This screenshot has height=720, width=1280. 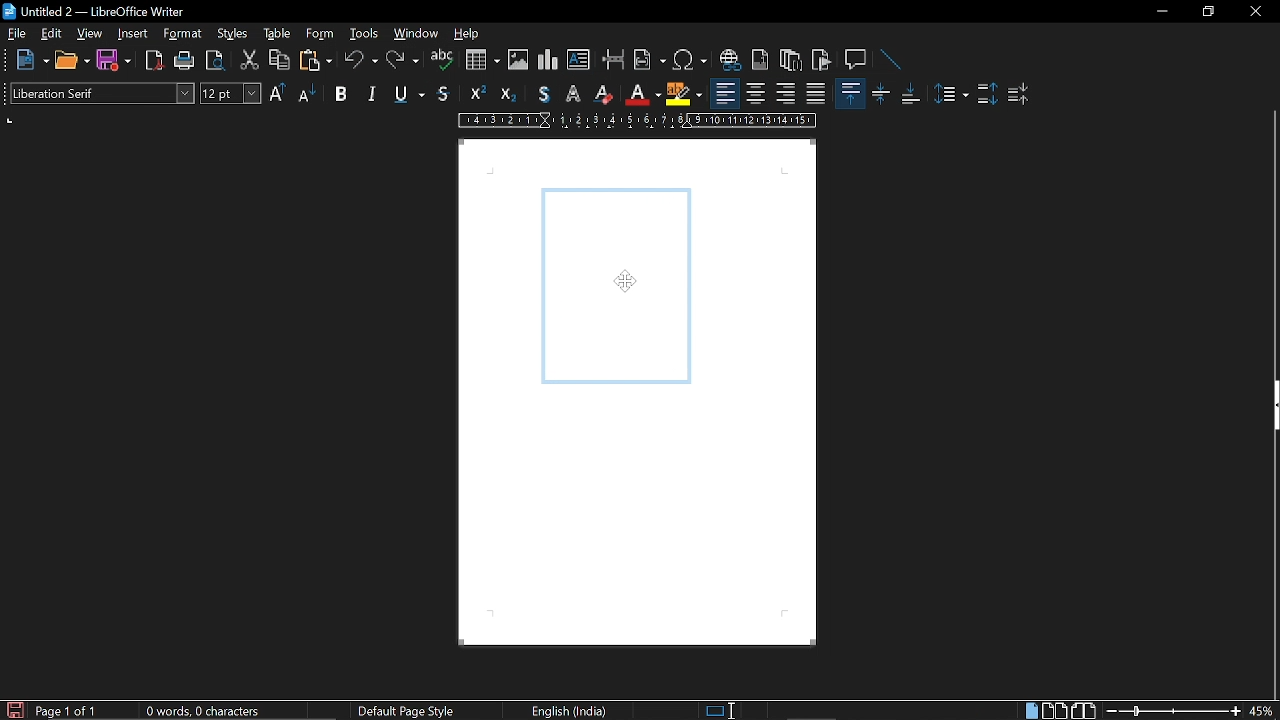 What do you see at coordinates (1272, 242) in the screenshot?
I see `vertical scroll bar` at bounding box center [1272, 242].